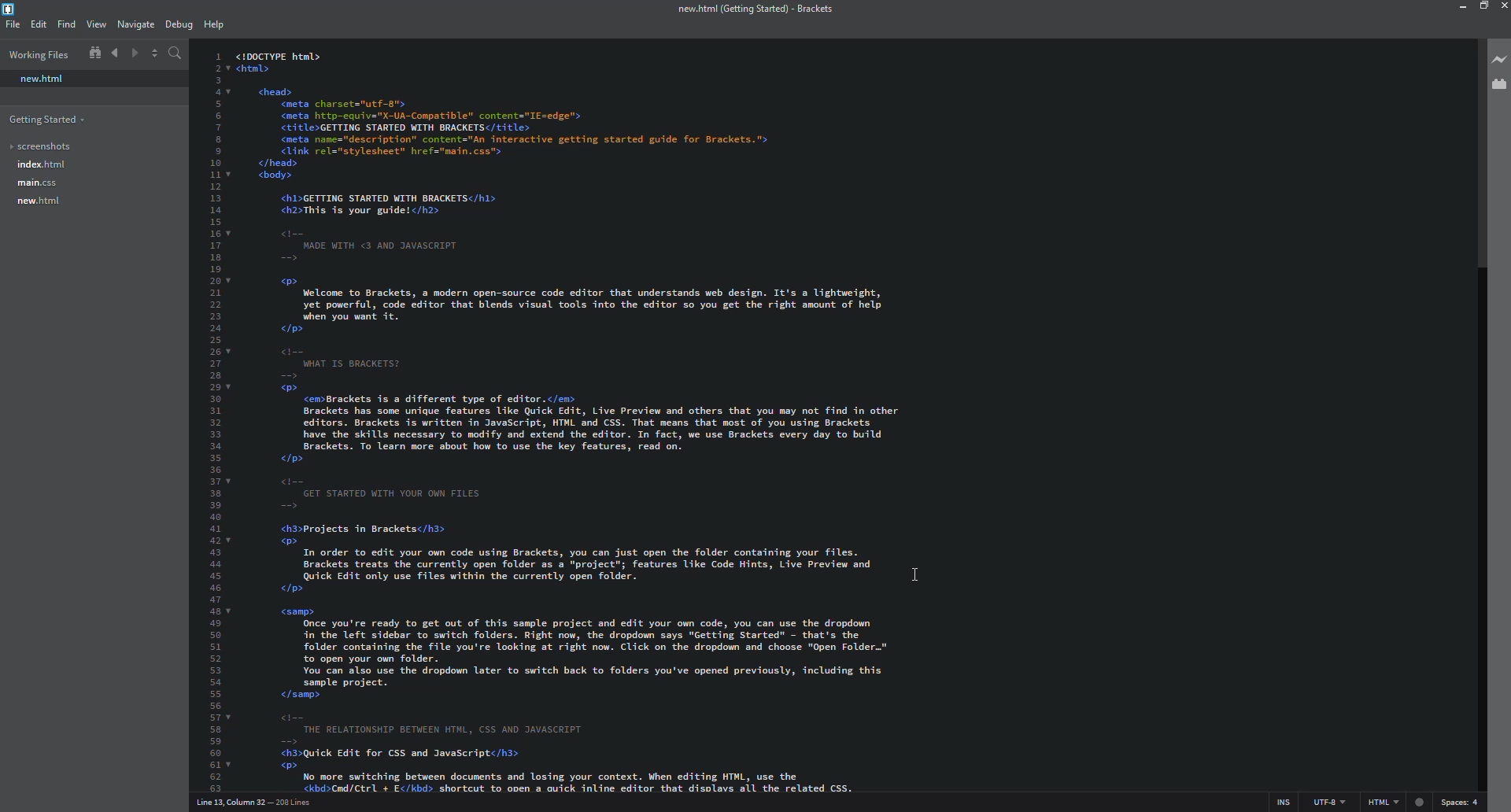  What do you see at coordinates (177, 25) in the screenshot?
I see `debug` at bounding box center [177, 25].